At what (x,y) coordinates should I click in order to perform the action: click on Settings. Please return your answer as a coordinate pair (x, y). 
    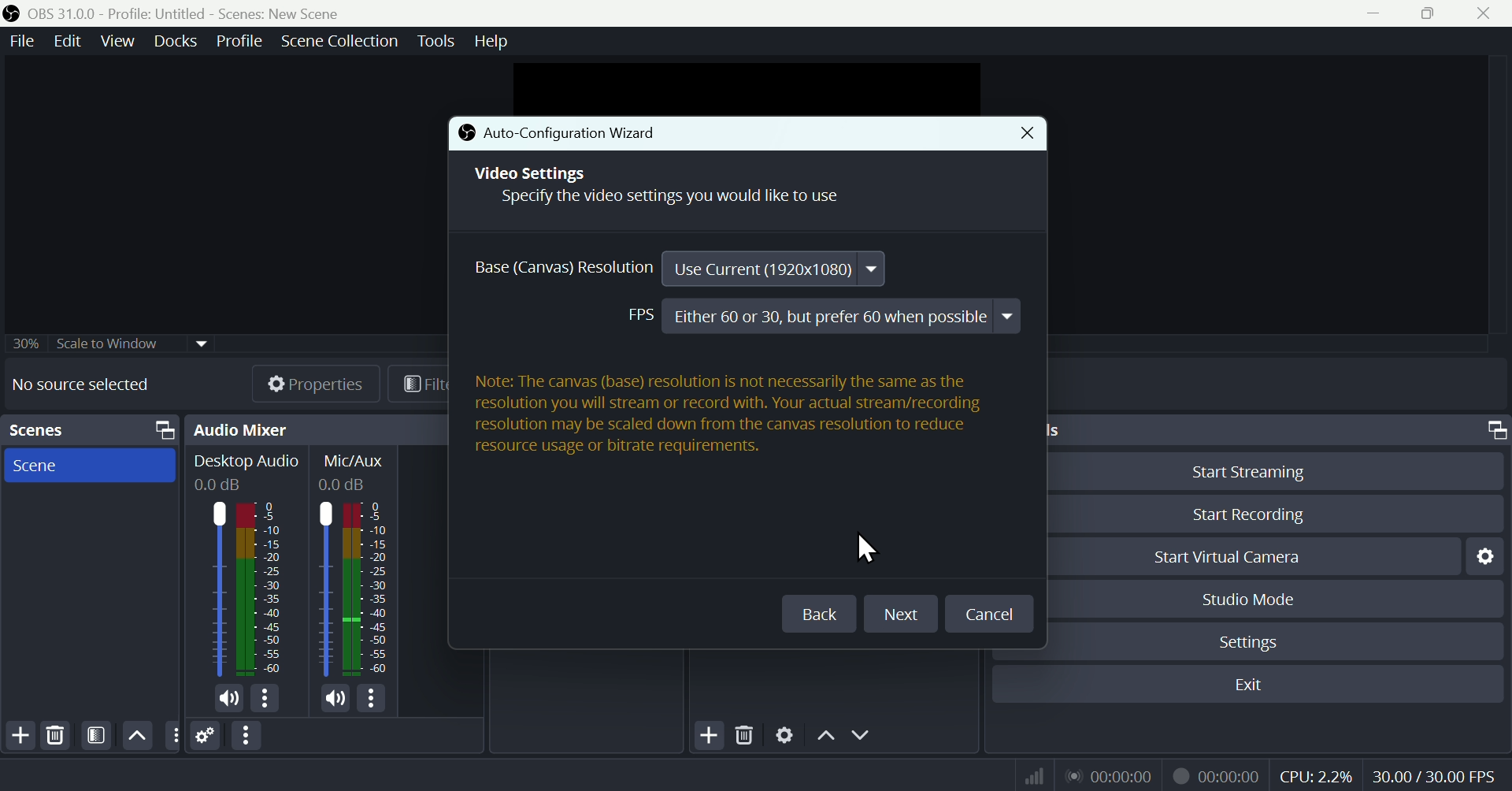
    Looking at the image, I should click on (1483, 556).